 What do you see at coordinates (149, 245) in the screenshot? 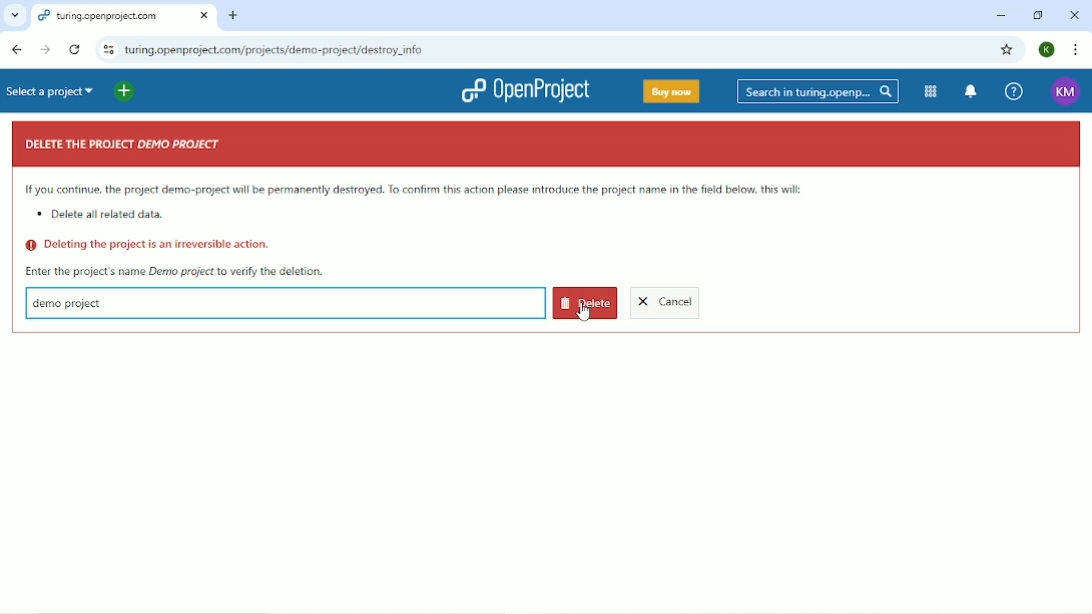
I see `Deleting the project is an irreversible action.` at bounding box center [149, 245].